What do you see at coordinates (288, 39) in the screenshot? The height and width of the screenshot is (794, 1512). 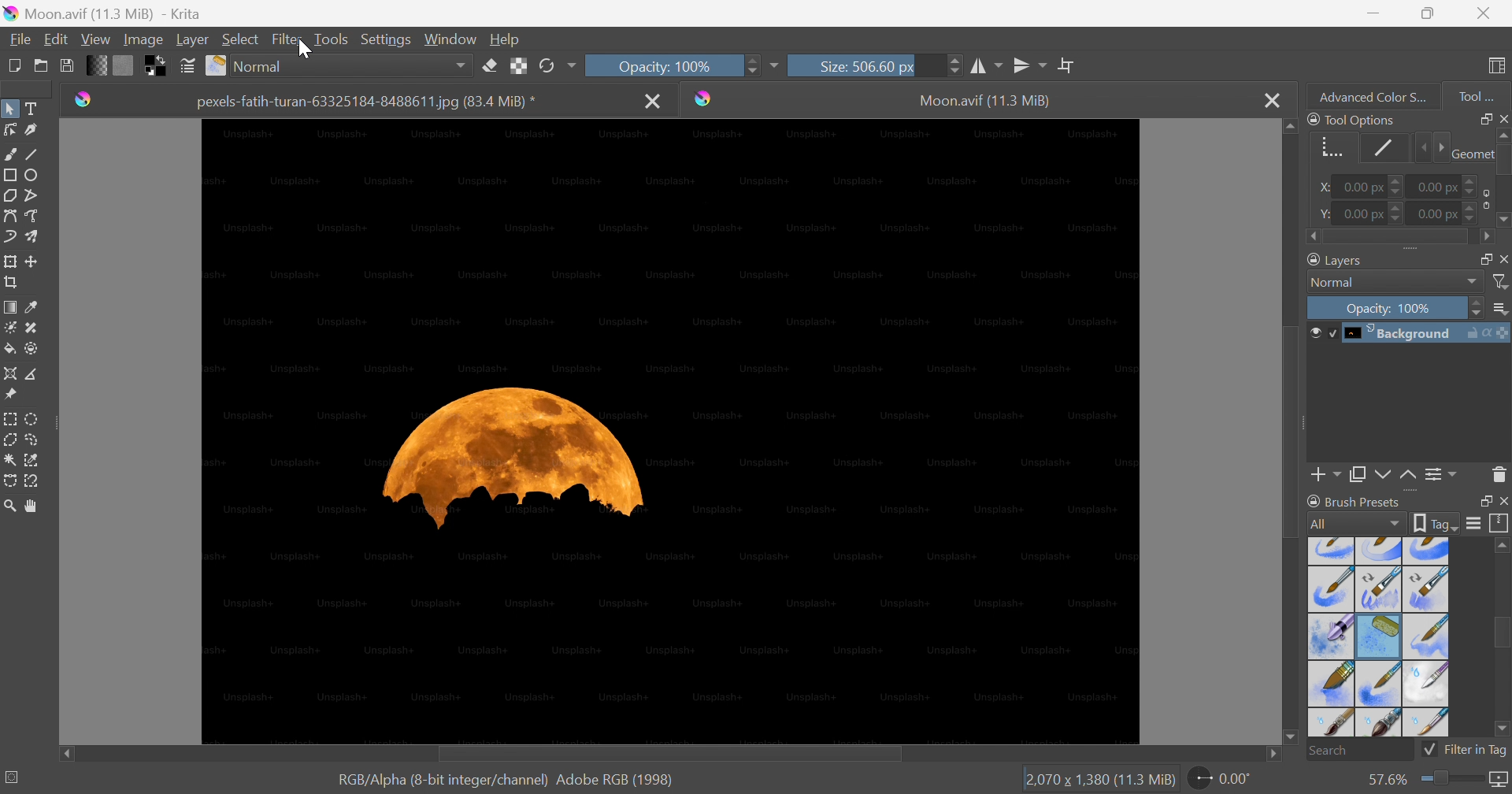 I see `Filter` at bounding box center [288, 39].